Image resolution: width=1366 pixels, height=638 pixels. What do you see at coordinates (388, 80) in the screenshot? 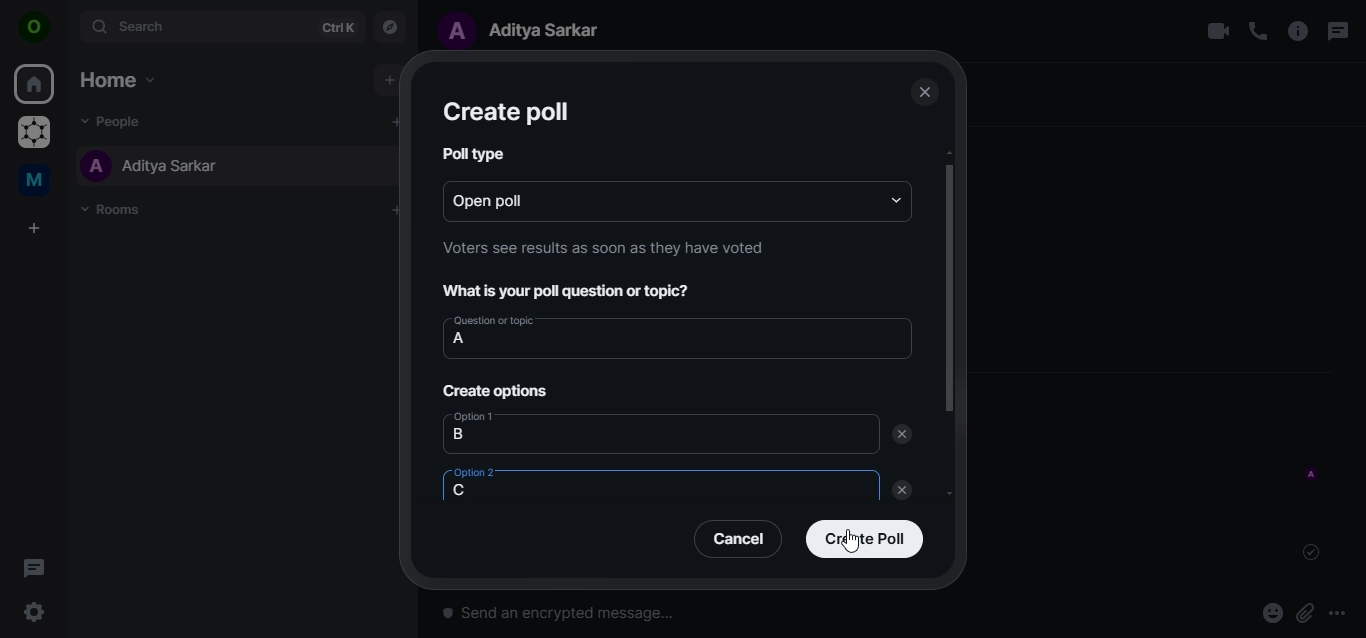
I see `add` at bounding box center [388, 80].